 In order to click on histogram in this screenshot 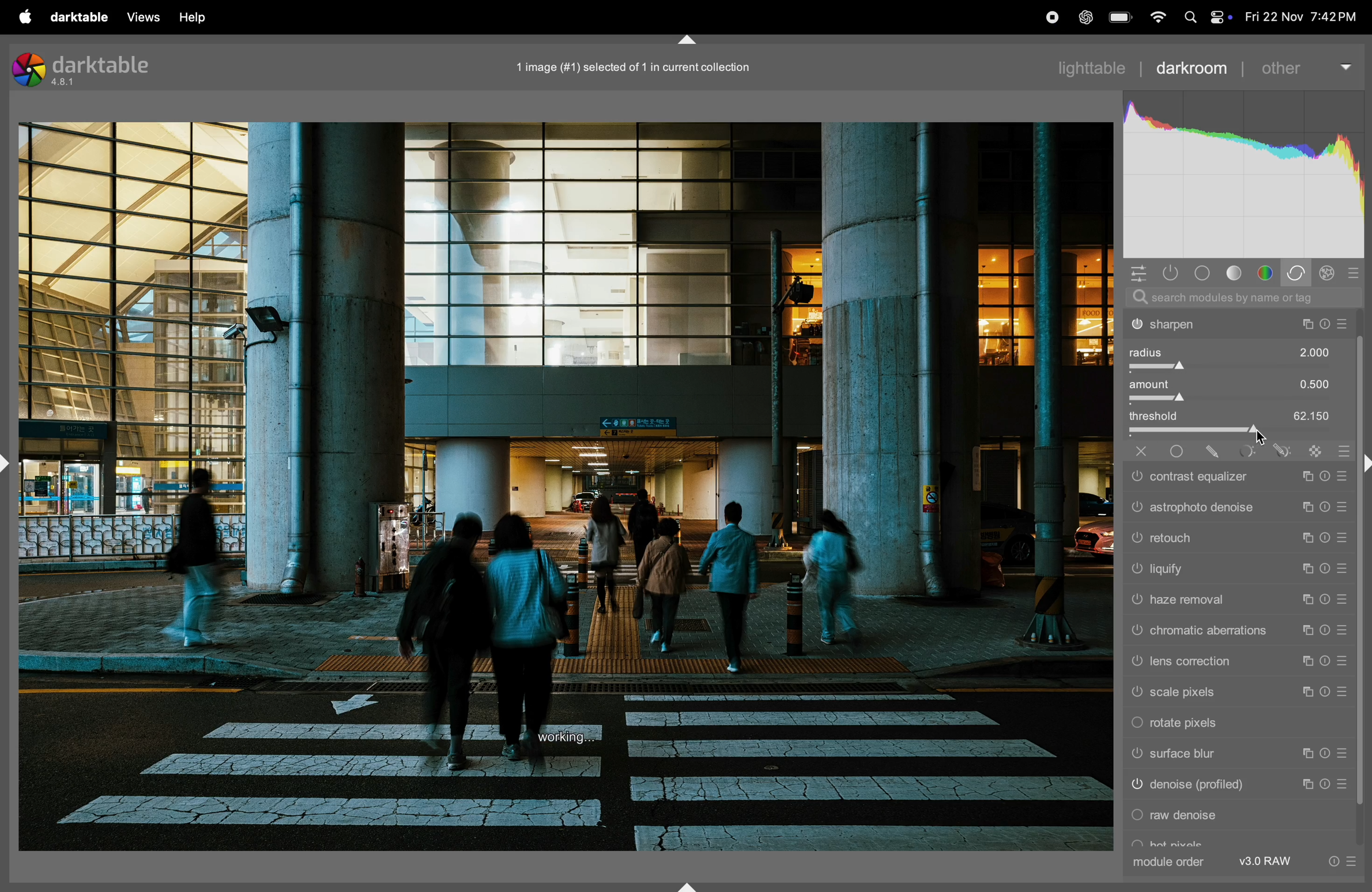, I will do `click(1245, 171)`.